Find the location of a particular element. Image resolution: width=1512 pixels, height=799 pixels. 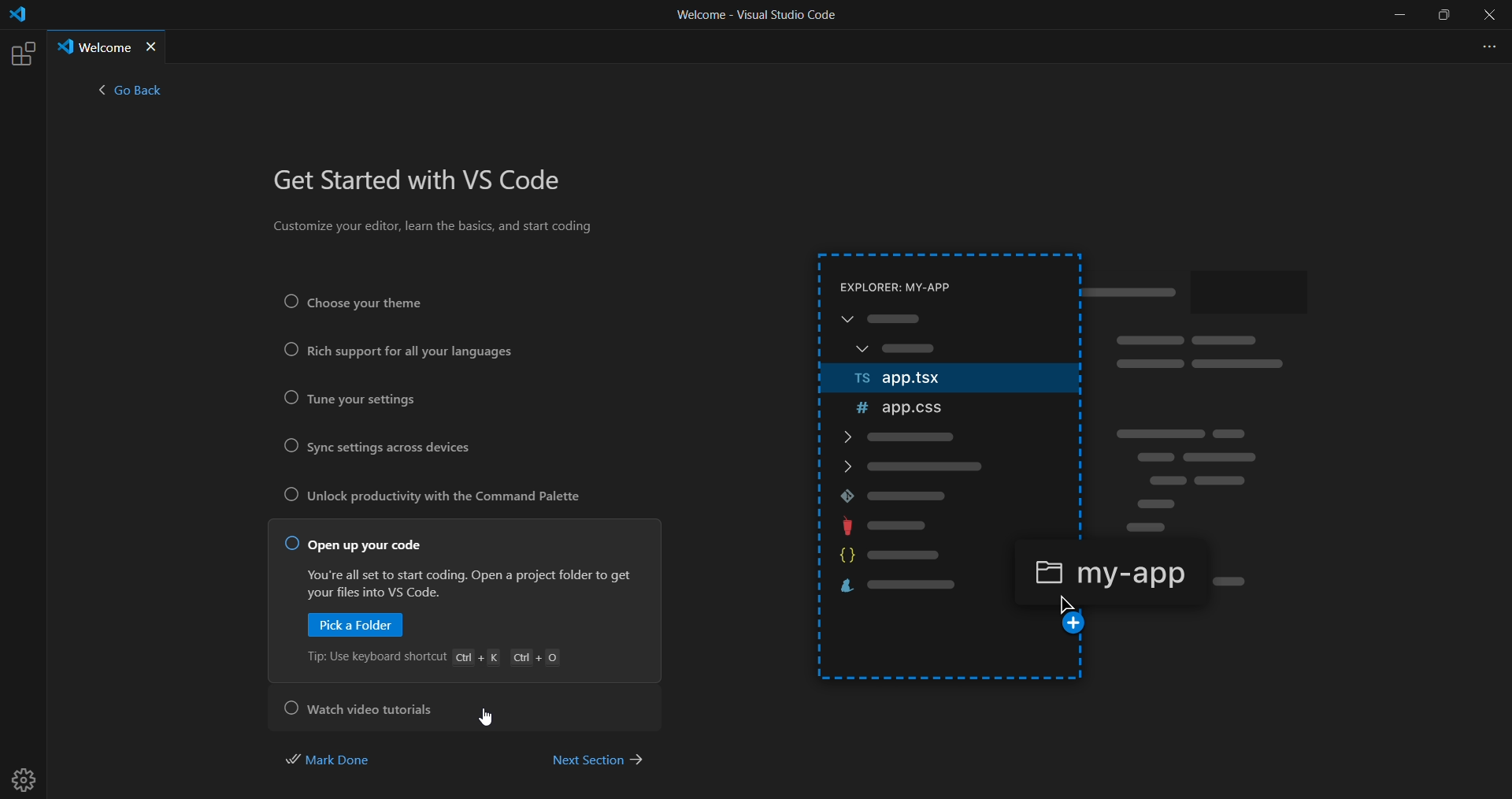

app.css is located at coordinates (938, 407).